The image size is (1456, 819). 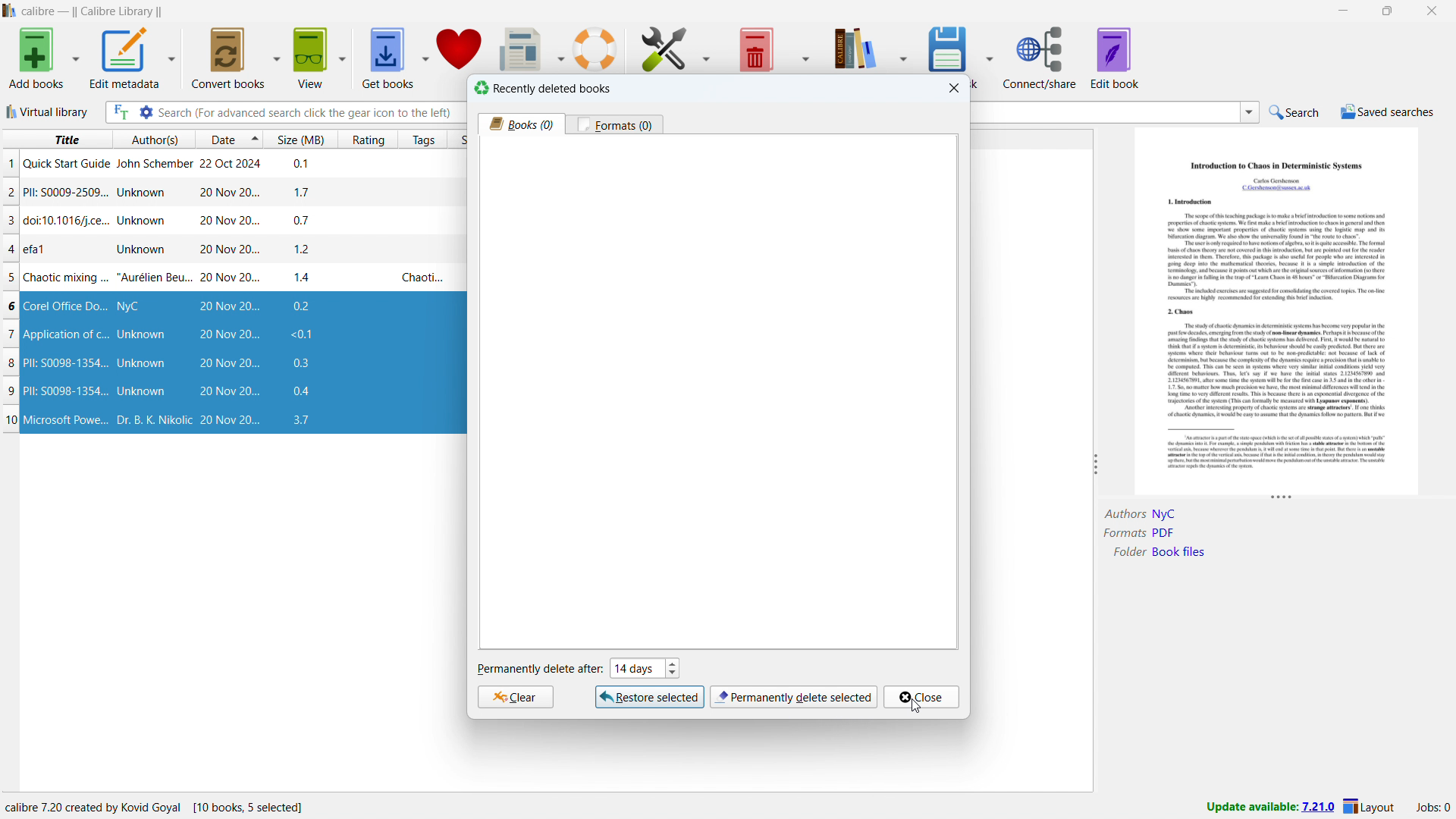 I want to click on preferences, so click(x=665, y=48).